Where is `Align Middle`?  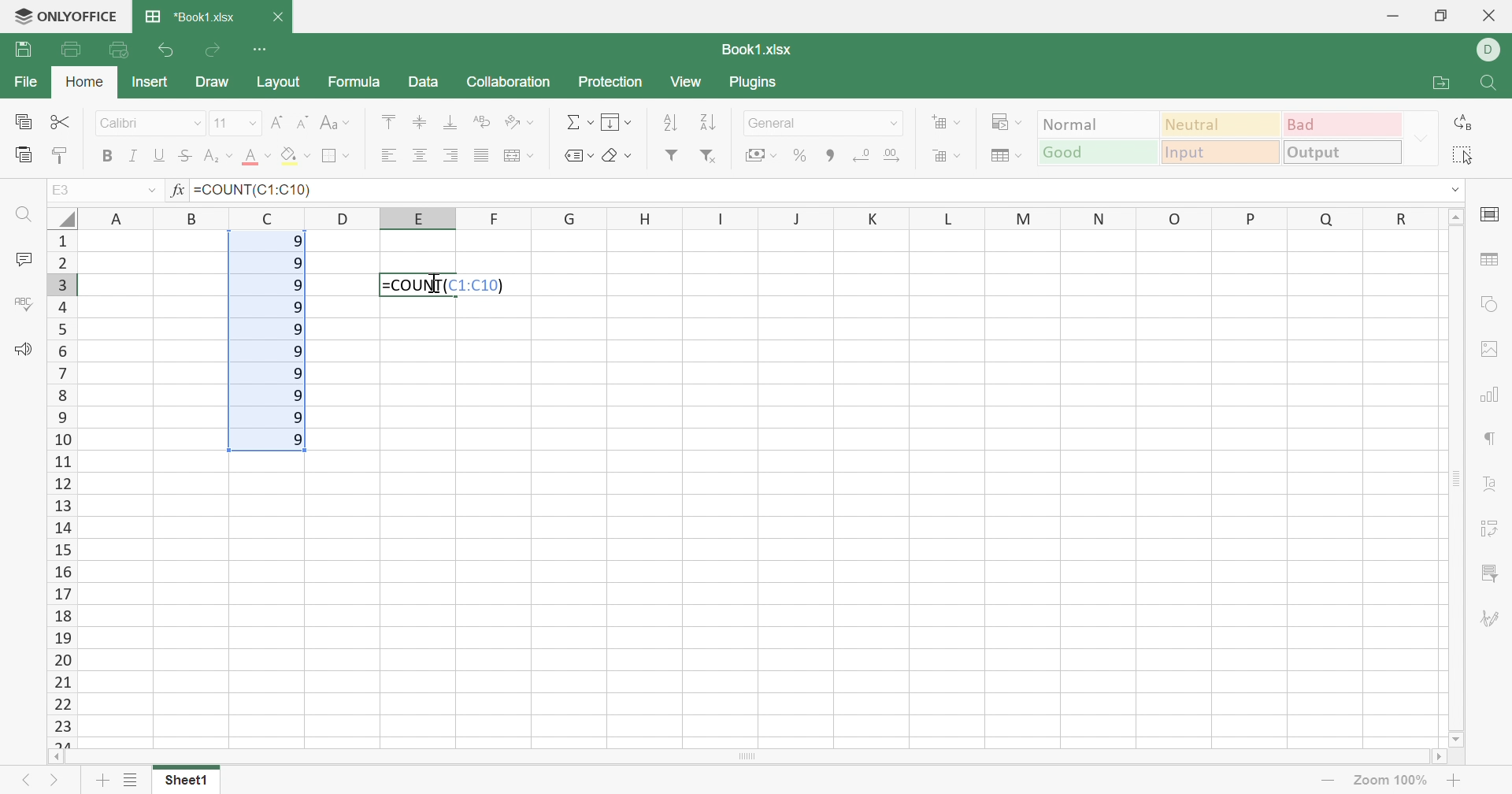
Align Middle is located at coordinates (420, 122).